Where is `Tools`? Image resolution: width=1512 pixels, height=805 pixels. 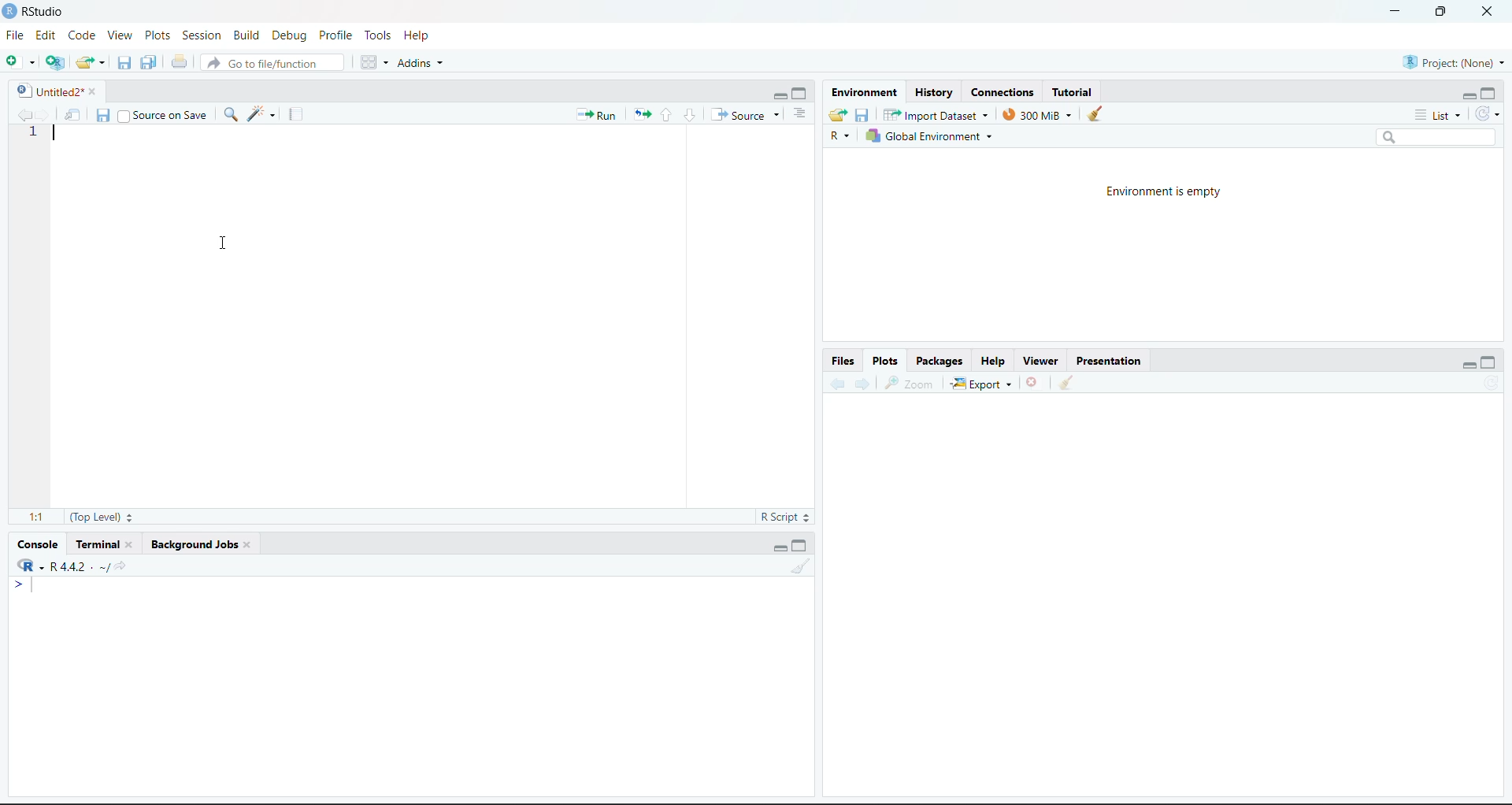
Tools is located at coordinates (377, 36).